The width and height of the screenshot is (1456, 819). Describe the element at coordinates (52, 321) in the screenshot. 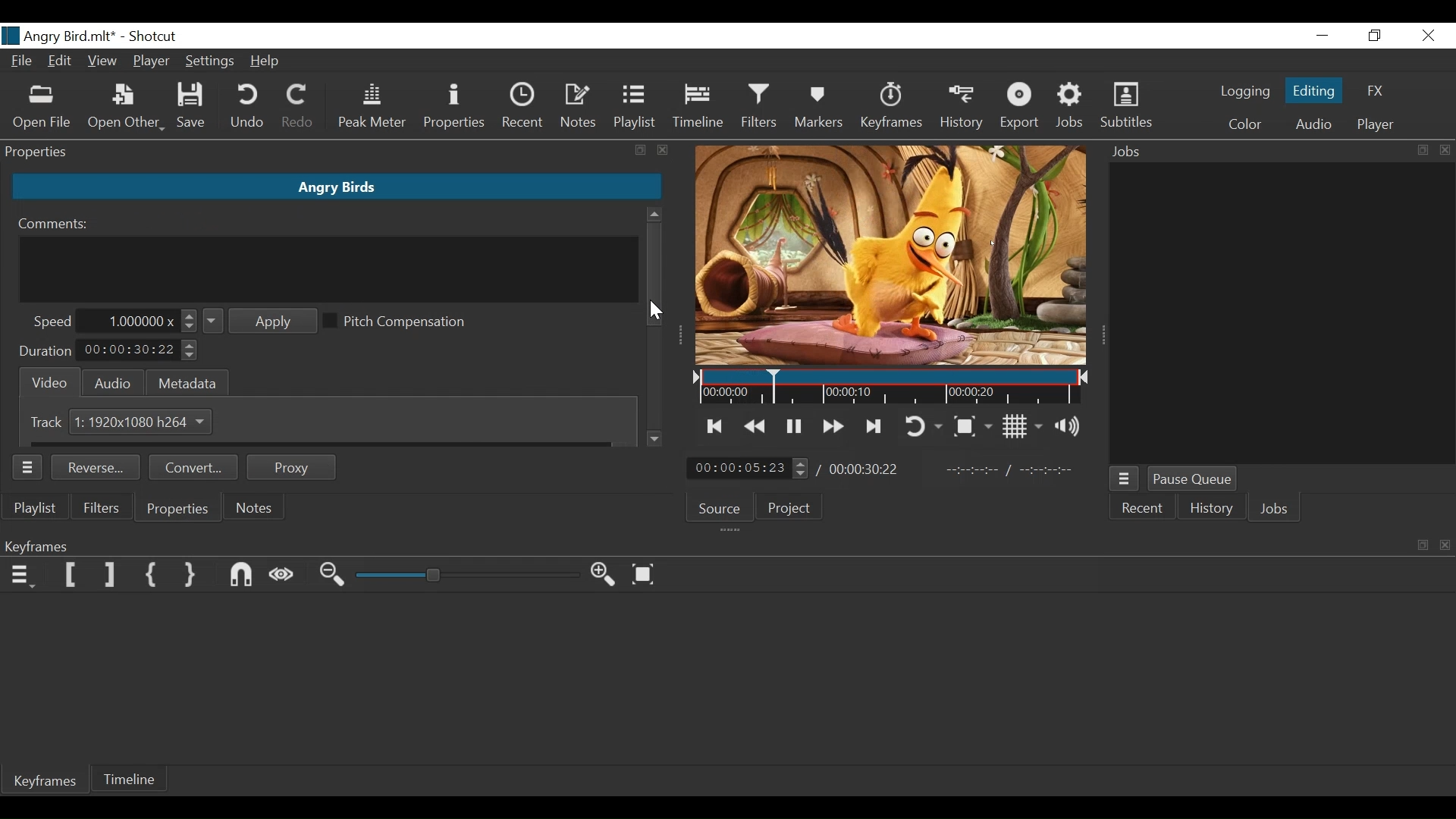

I see `Speed` at that location.